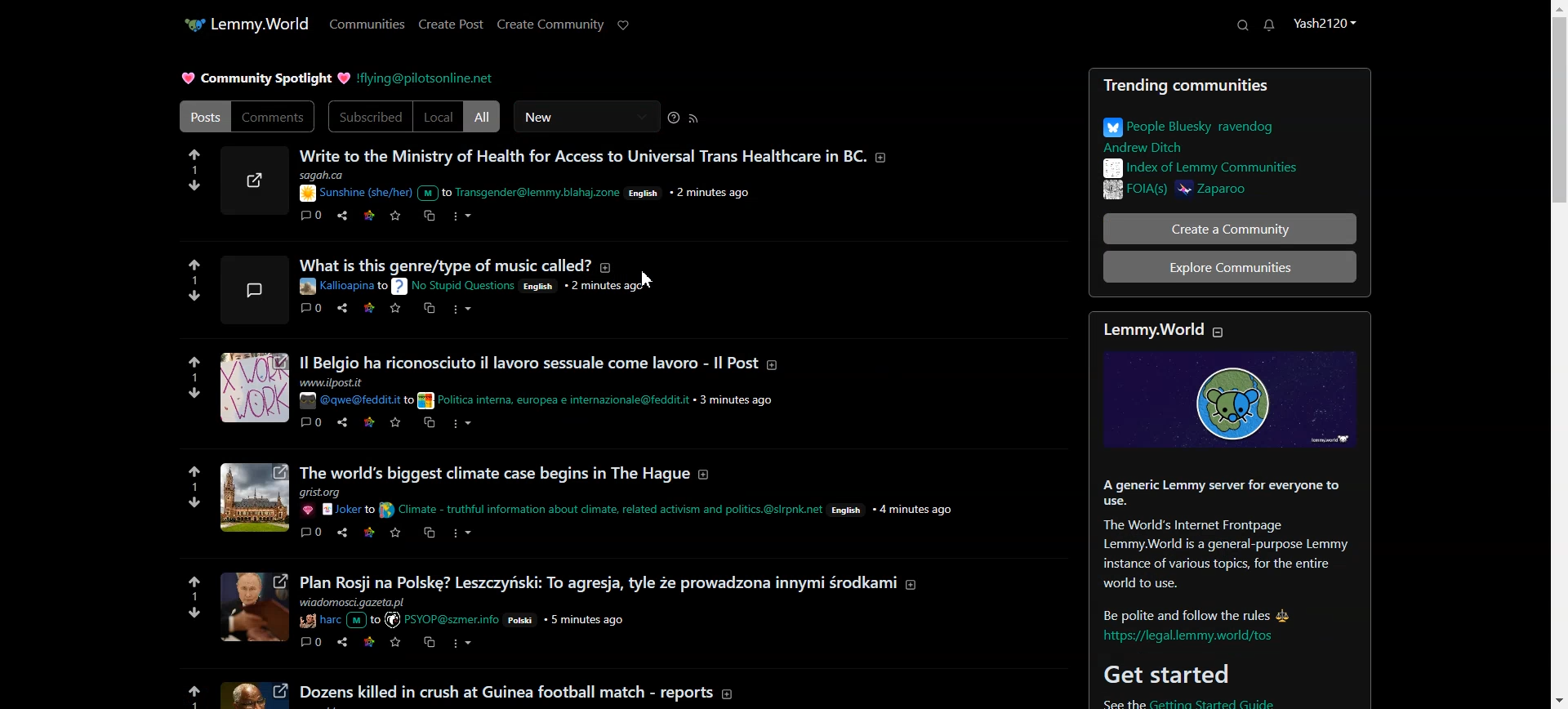 The width and height of the screenshot is (1568, 709). I want to click on share, so click(345, 429).